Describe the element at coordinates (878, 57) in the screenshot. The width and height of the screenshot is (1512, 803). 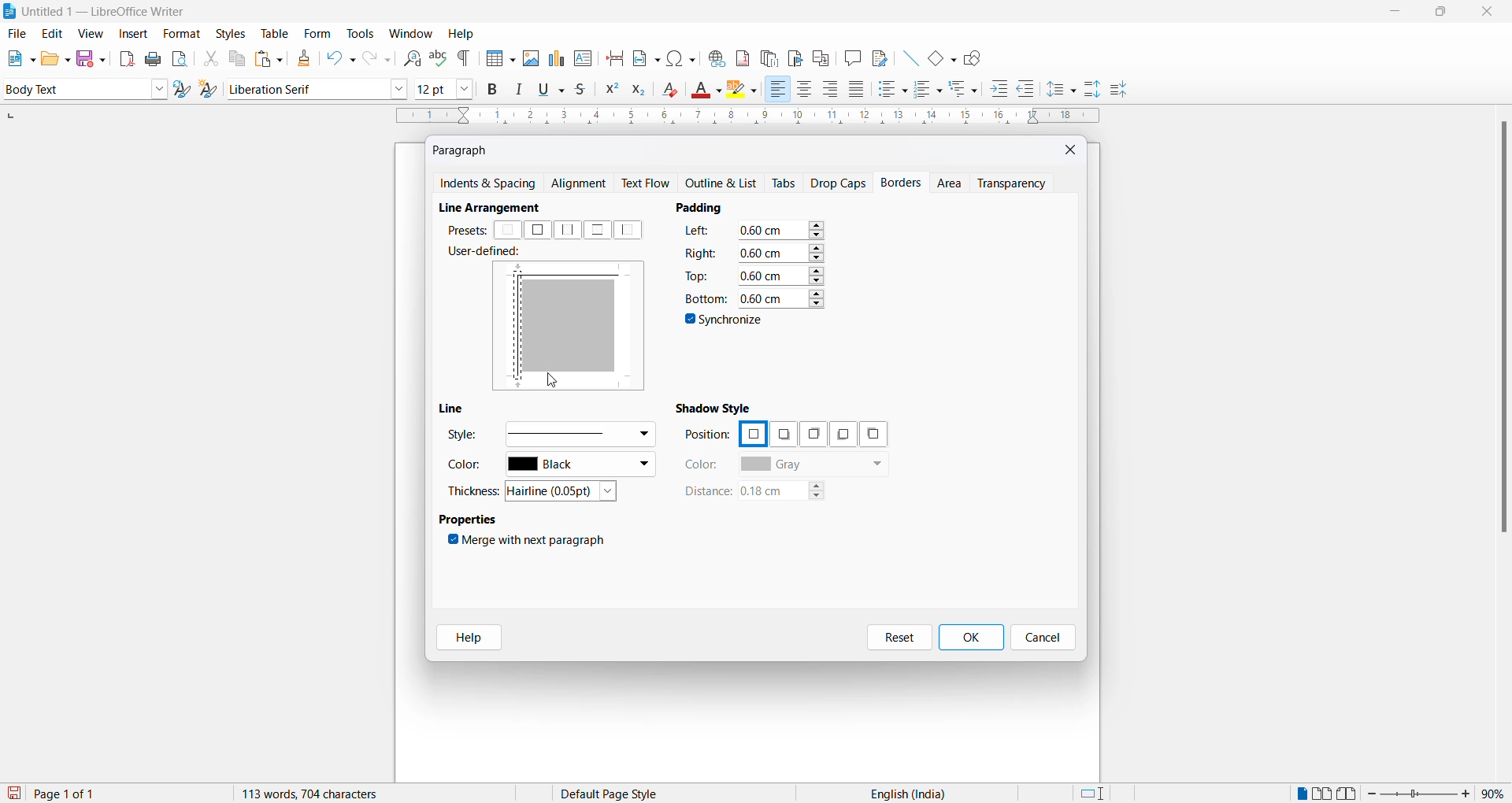
I see `insert cross-reference` at that location.